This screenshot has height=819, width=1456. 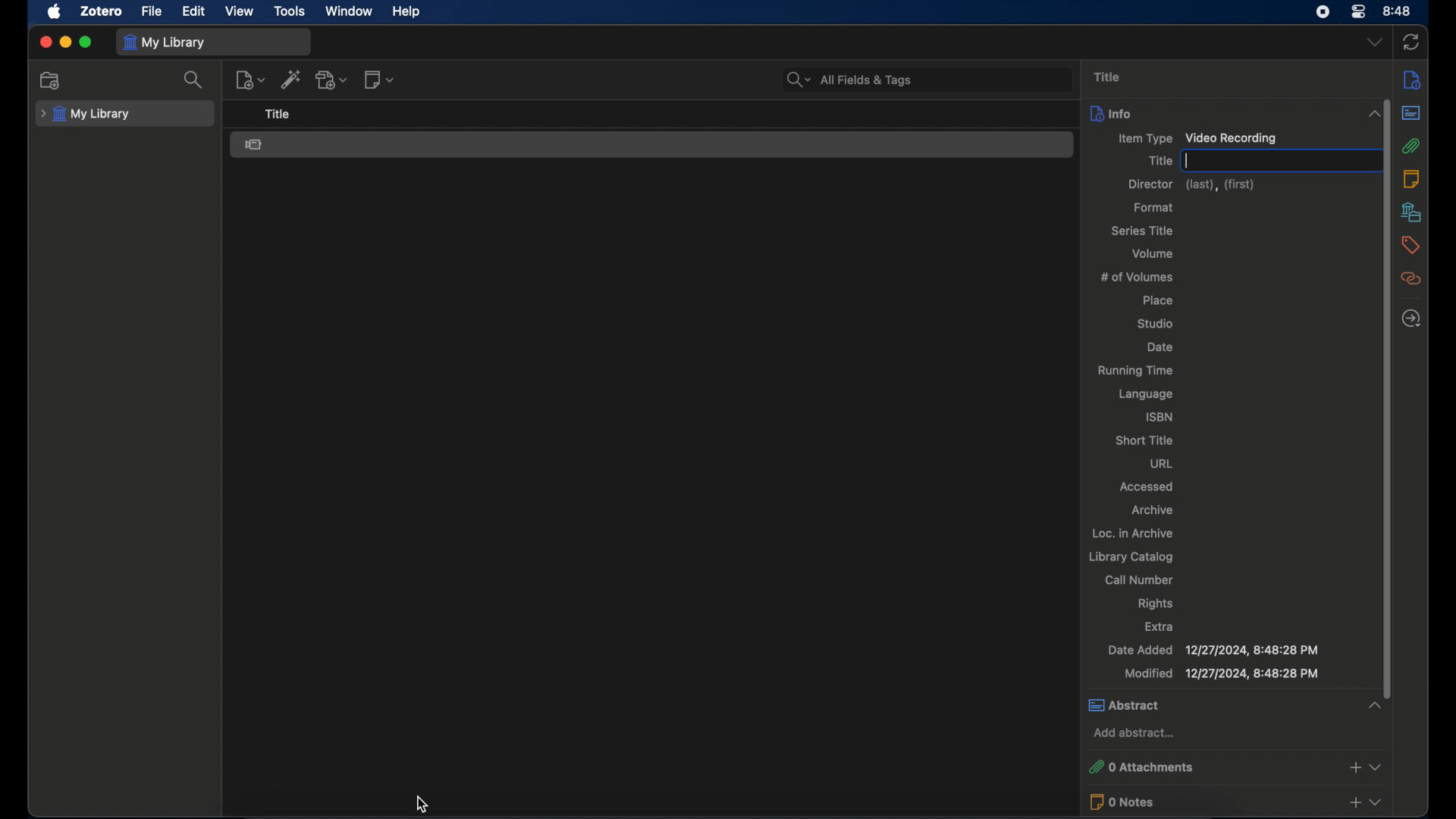 What do you see at coordinates (379, 80) in the screenshot?
I see `new note` at bounding box center [379, 80].